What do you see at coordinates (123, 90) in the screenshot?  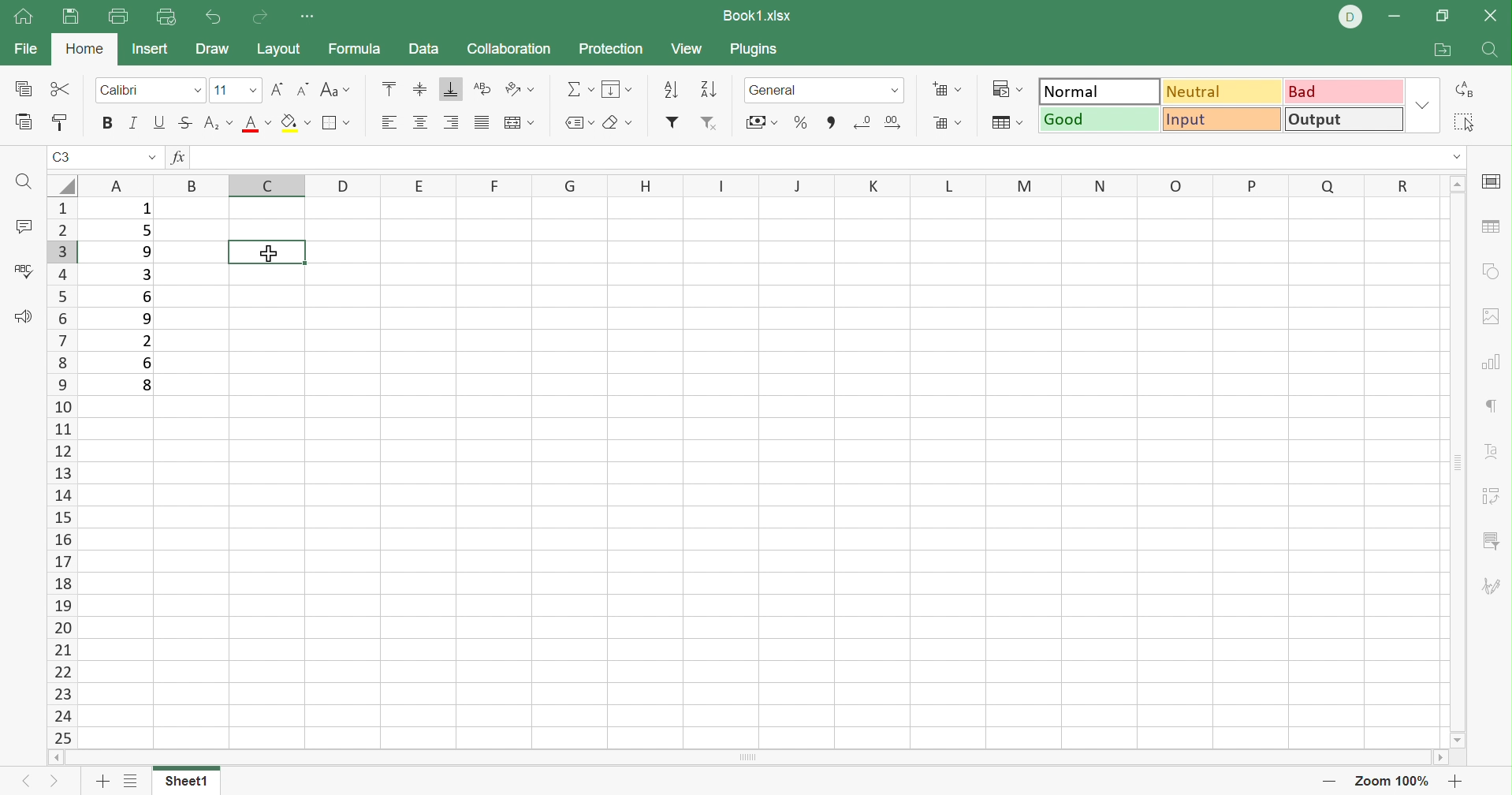 I see `Calibri` at bounding box center [123, 90].